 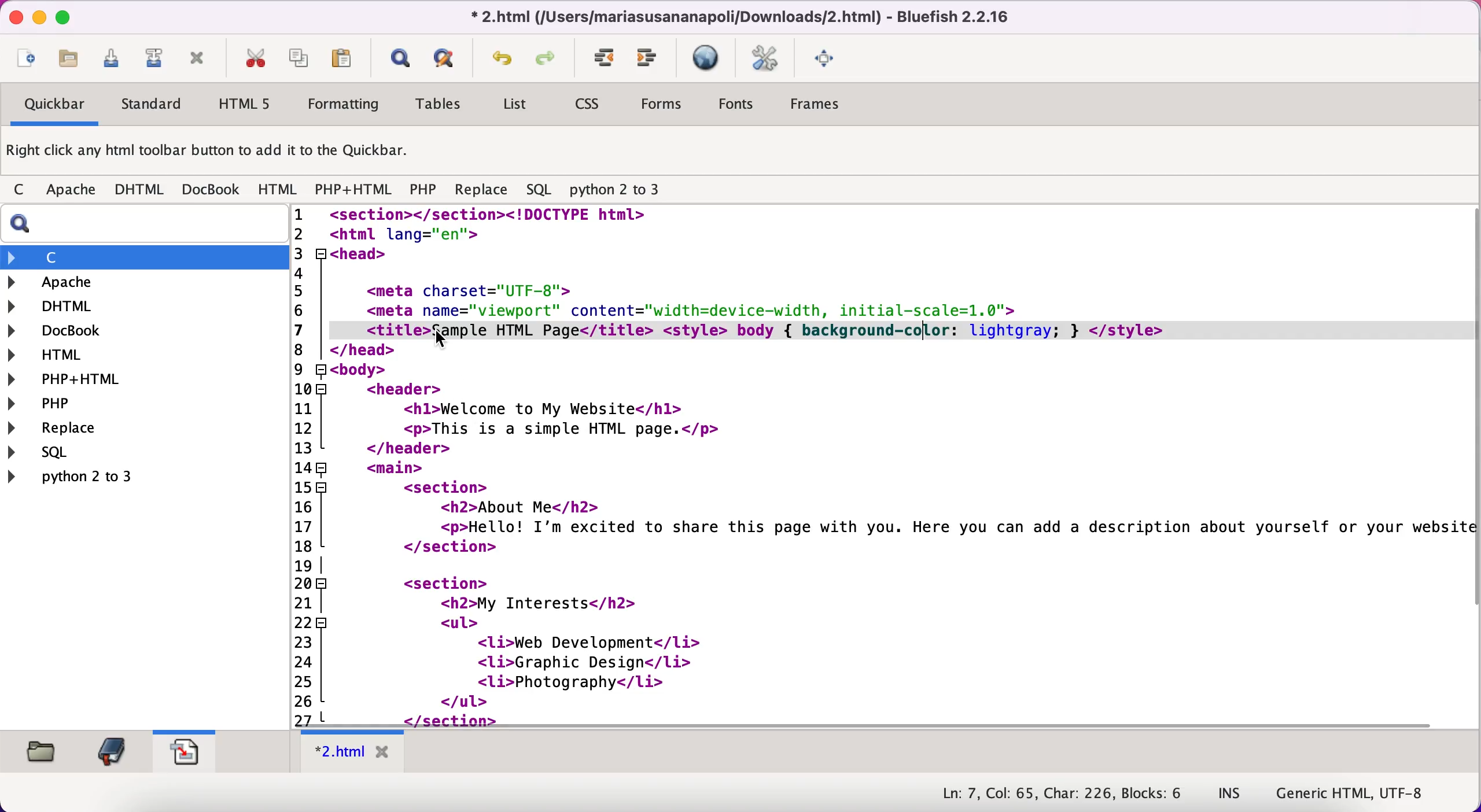 I want to click on dhtml, so click(x=140, y=190).